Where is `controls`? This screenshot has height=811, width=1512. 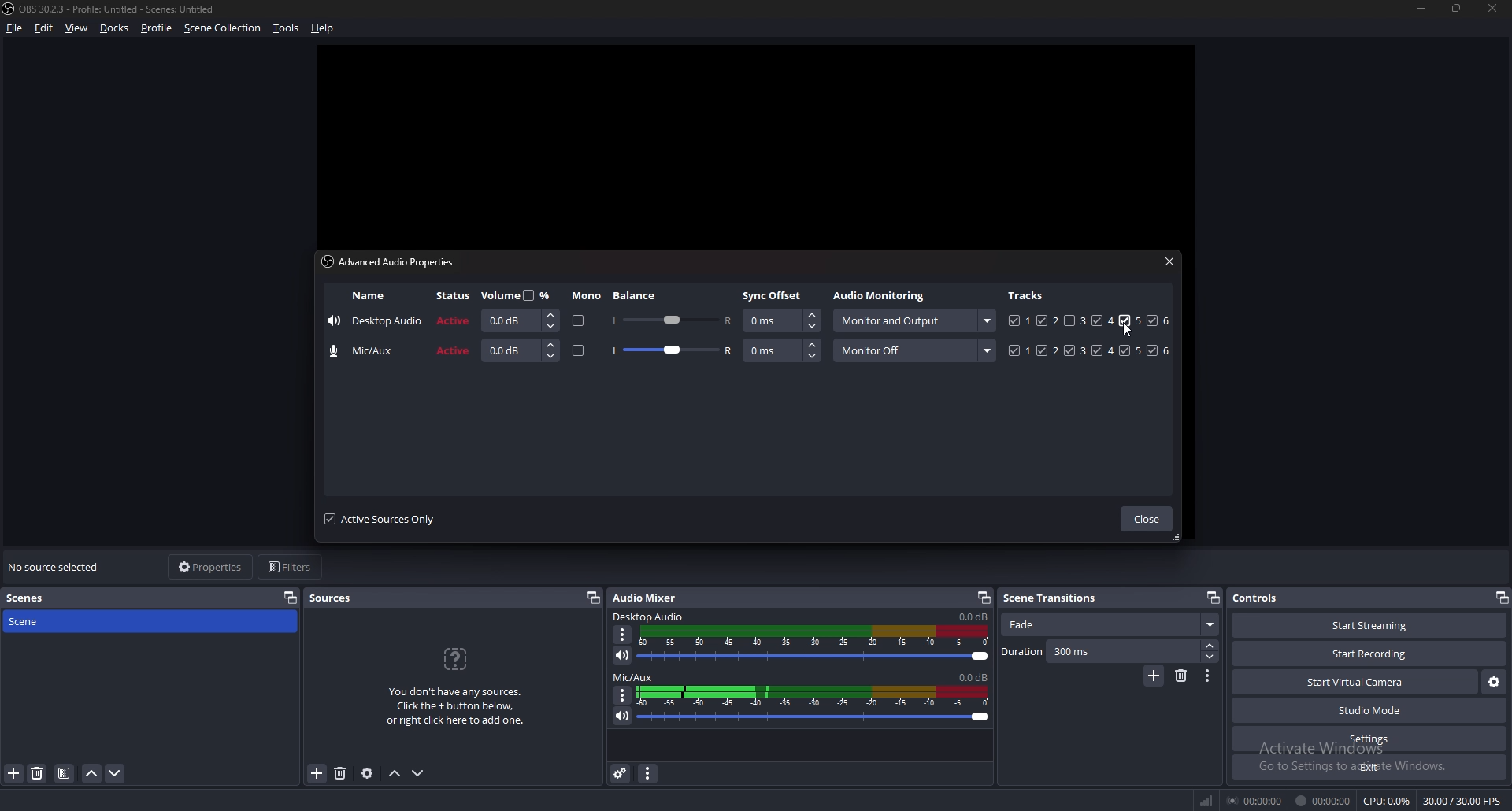
controls is located at coordinates (1266, 598).